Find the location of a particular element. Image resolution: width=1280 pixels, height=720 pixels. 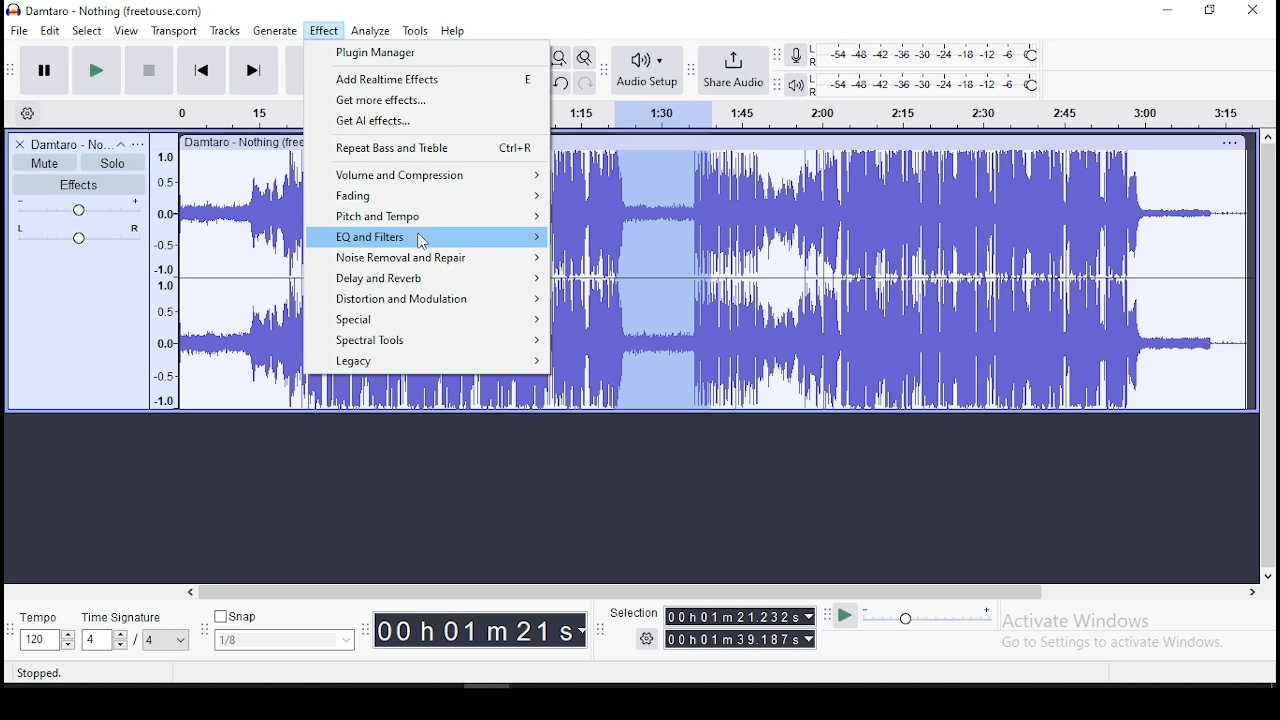

Cursor is located at coordinates (424, 241).